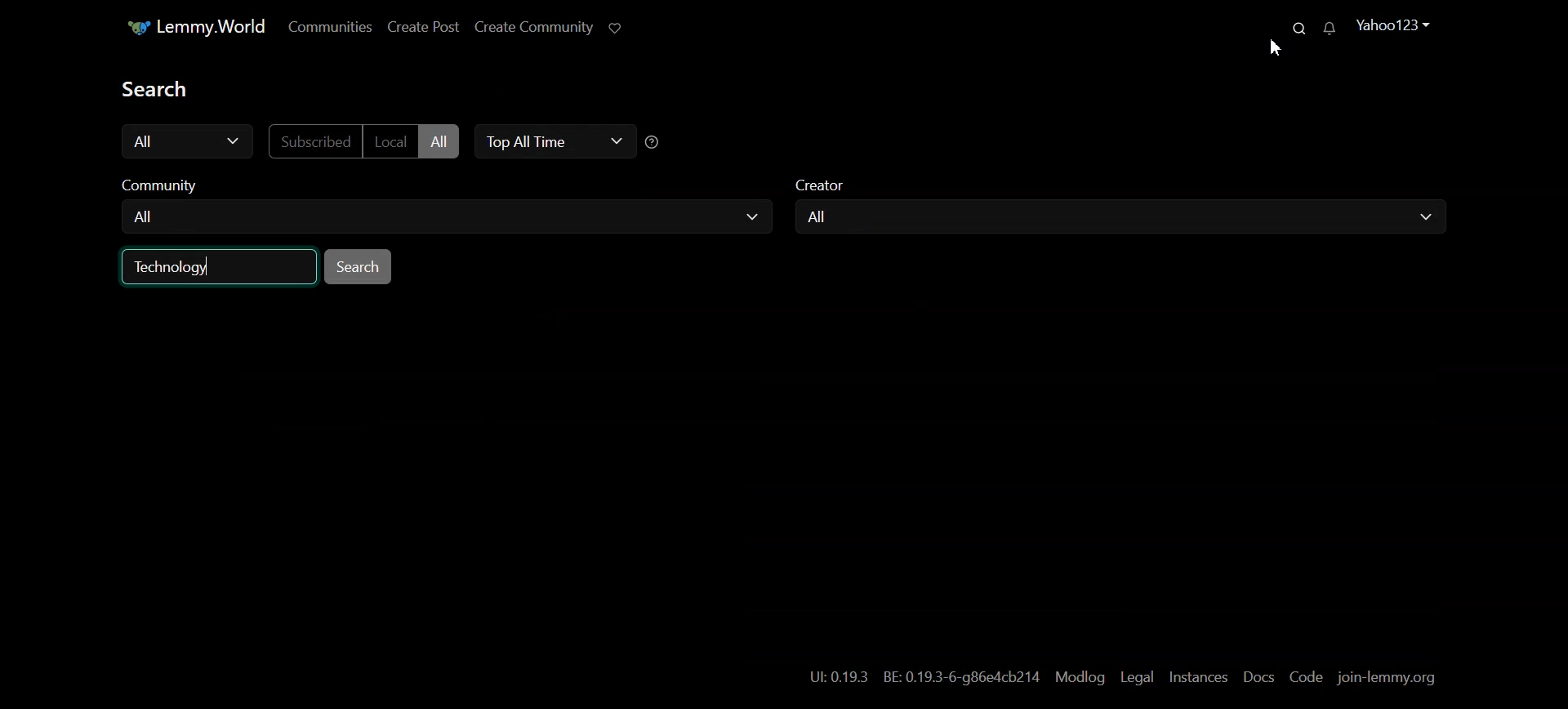  What do you see at coordinates (185, 141) in the screenshot?
I see `All` at bounding box center [185, 141].